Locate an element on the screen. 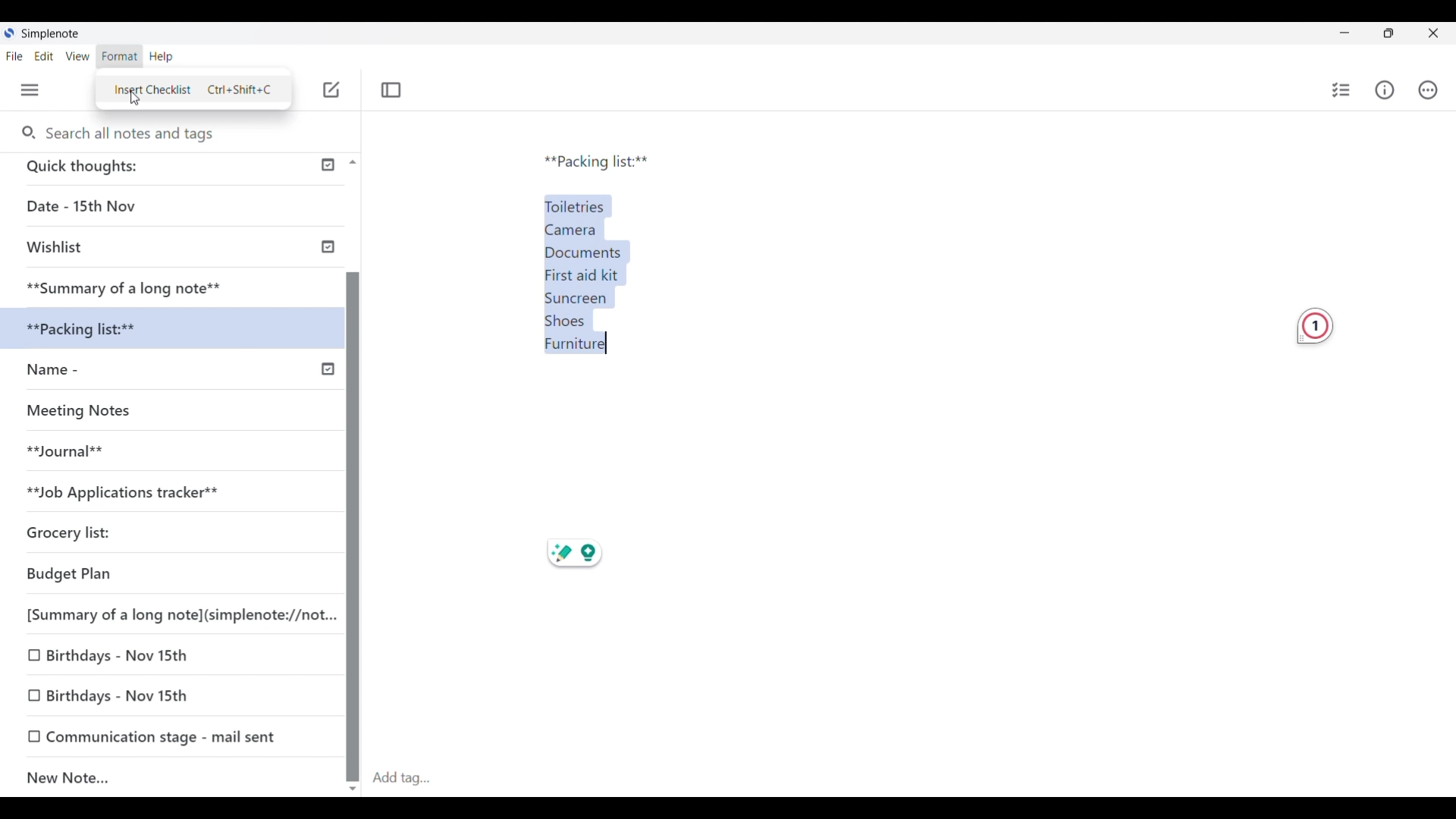  Wishlist is located at coordinates (129, 249).